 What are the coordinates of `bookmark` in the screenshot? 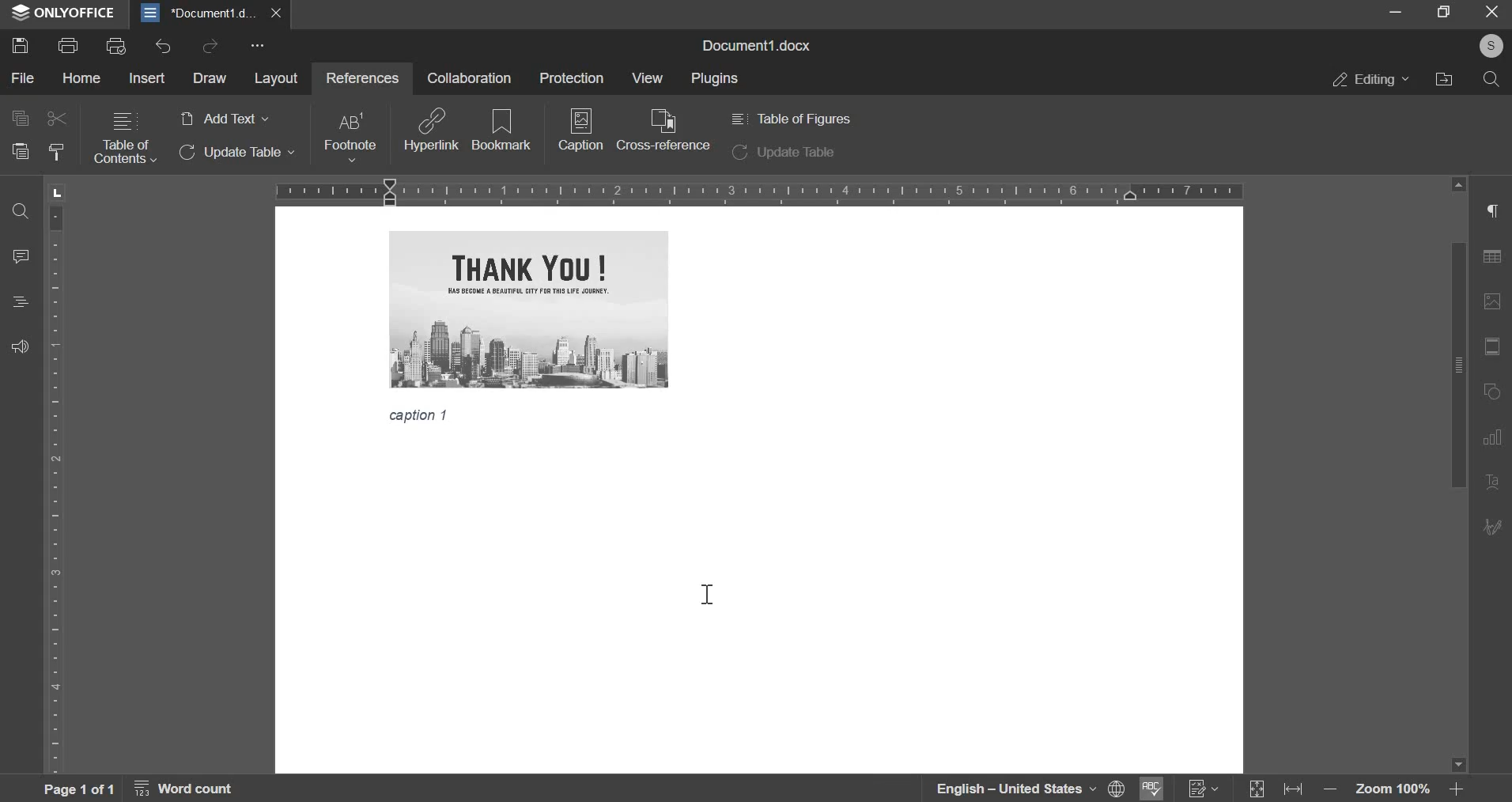 It's located at (502, 128).